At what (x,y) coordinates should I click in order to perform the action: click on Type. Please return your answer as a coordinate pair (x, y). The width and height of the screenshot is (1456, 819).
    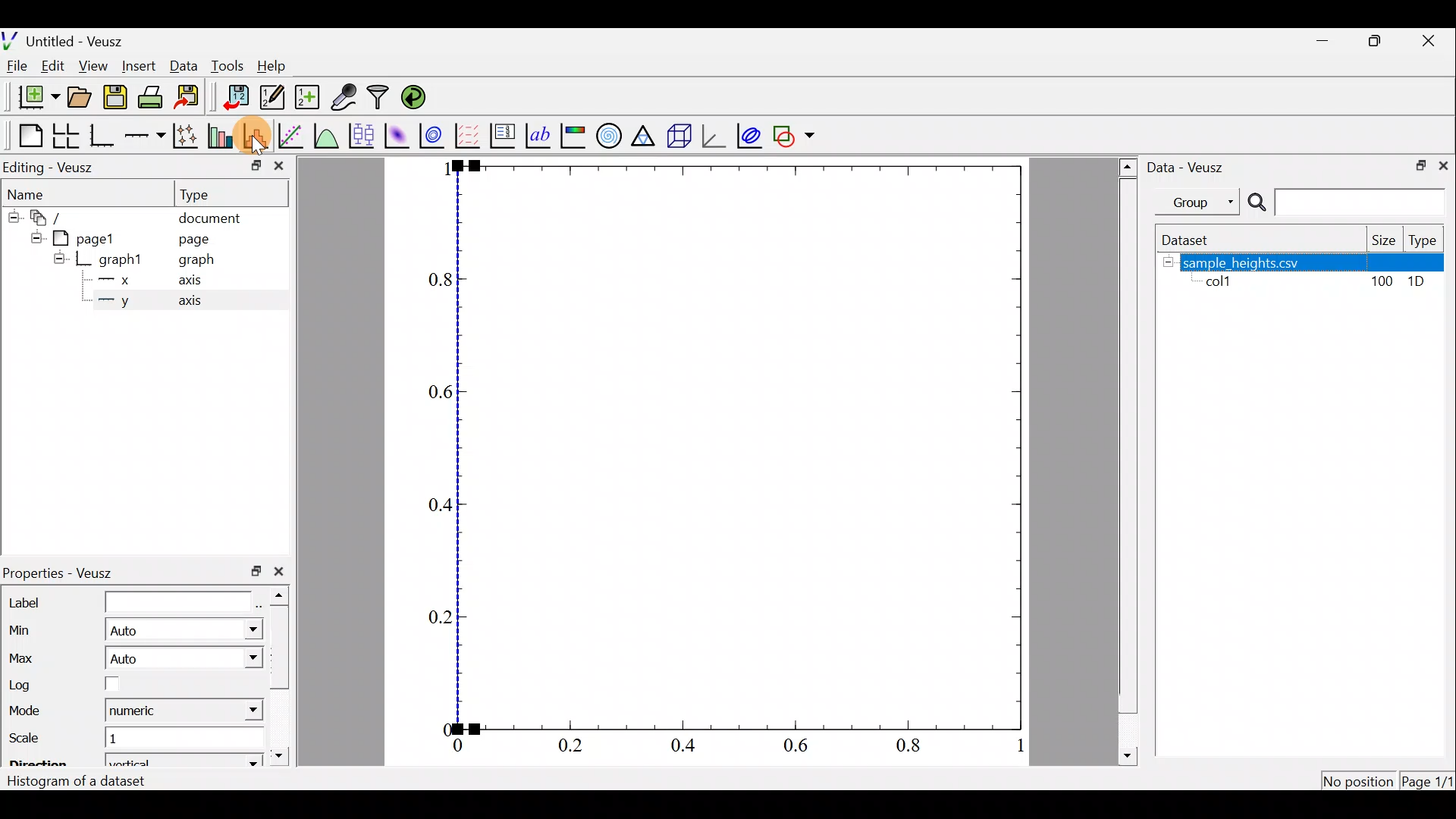
    Looking at the image, I should click on (1426, 240).